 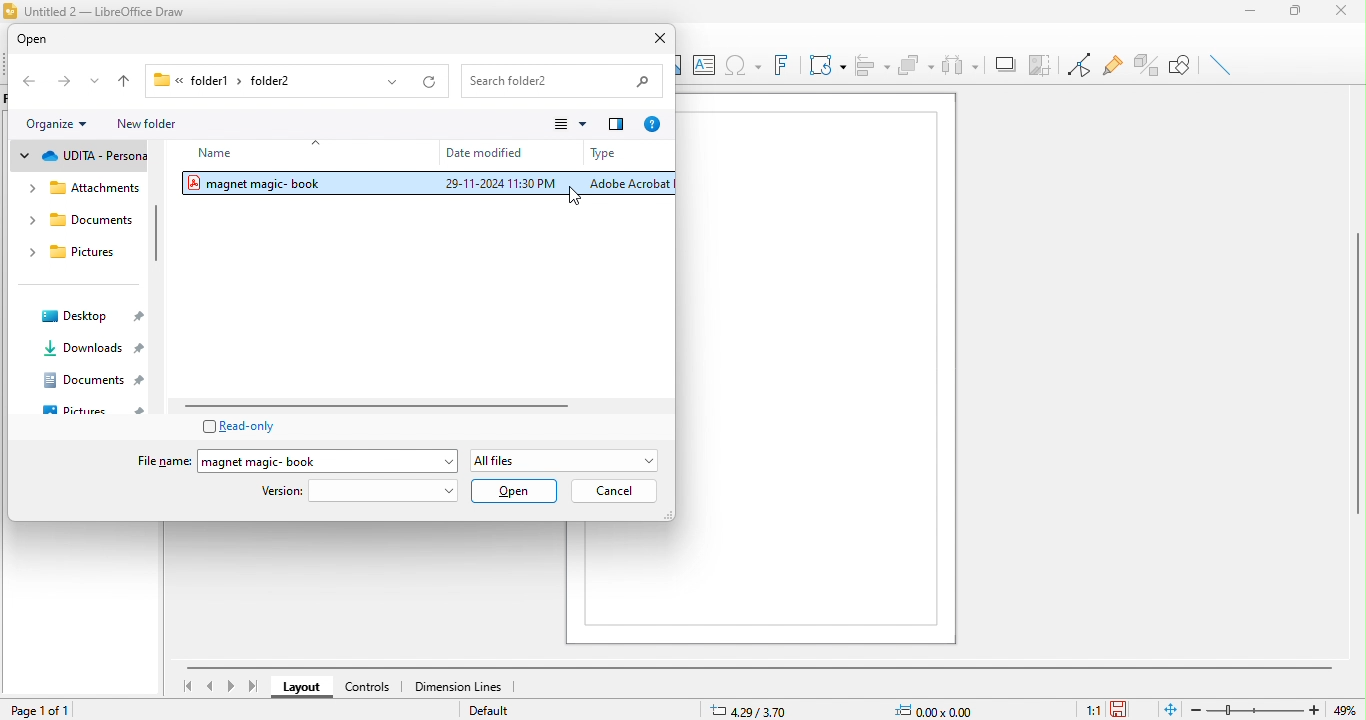 What do you see at coordinates (74, 253) in the screenshot?
I see `pictures` at bounding box center [74, 253].